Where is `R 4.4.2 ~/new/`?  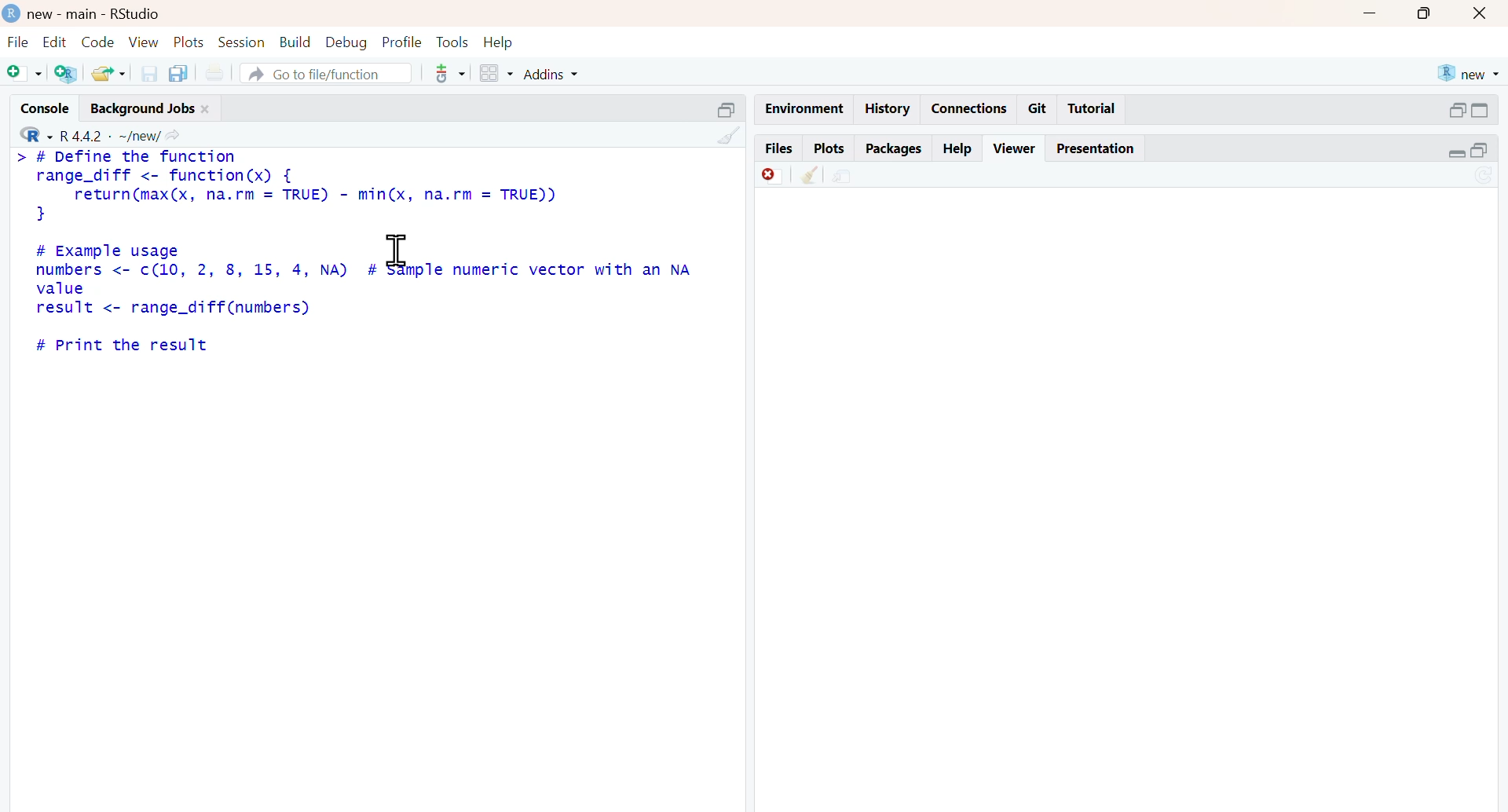
R 4.4.2 ~/new/ is located at coordinates (110, 135).